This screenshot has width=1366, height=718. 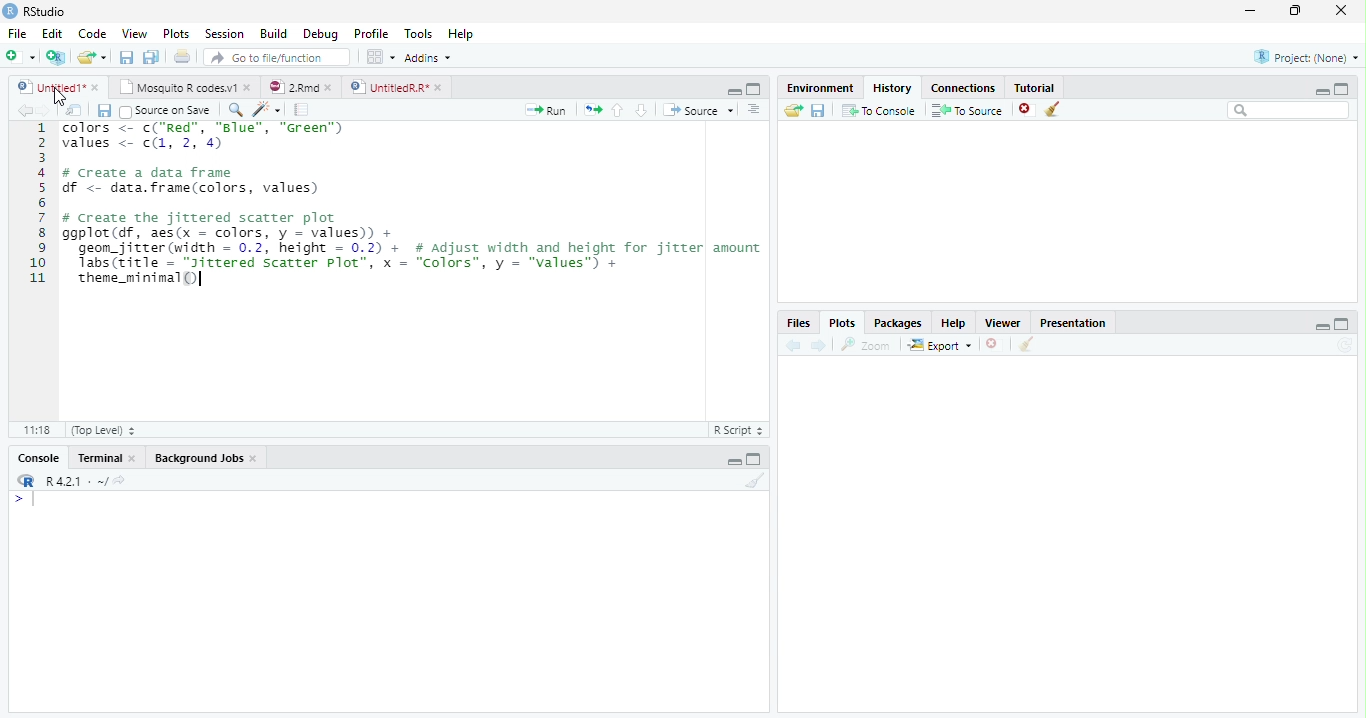 What do you see at coordinates (438, 88) in the screenshot?
I see `close` at bounding box center [438, 88].